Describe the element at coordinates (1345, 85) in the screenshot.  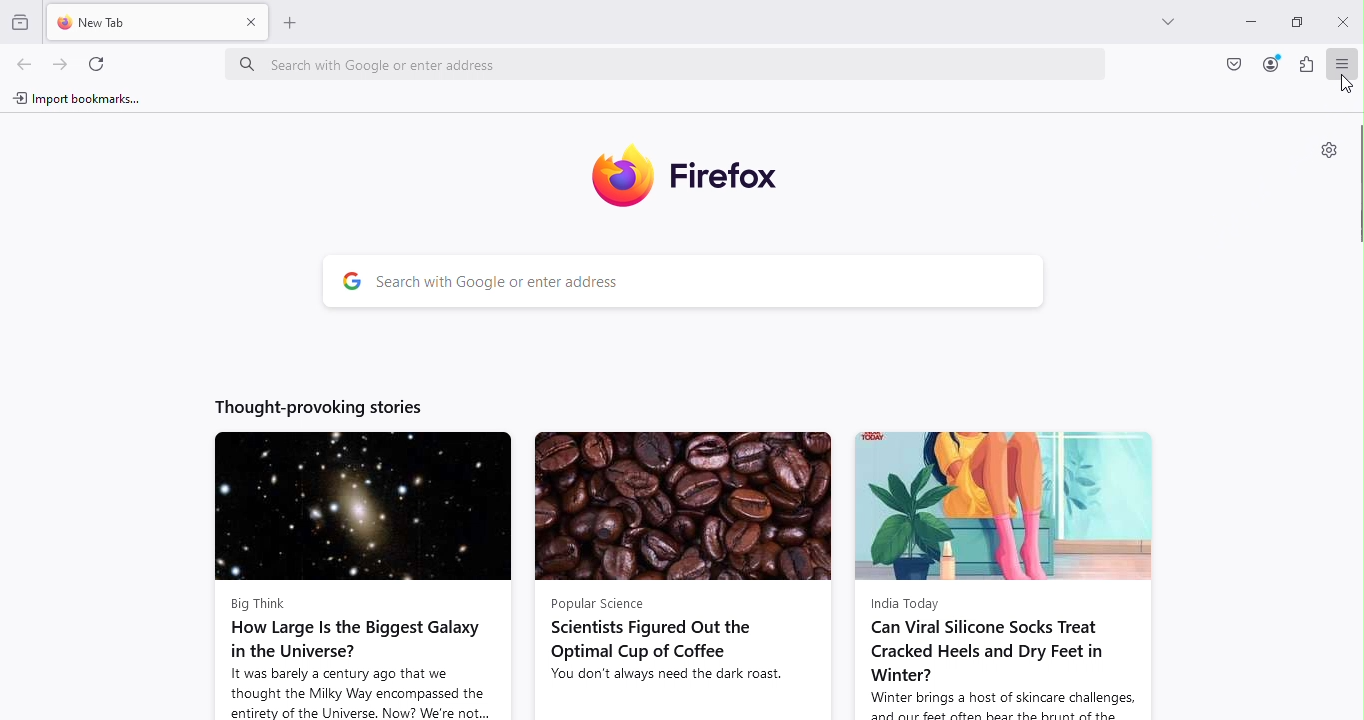
I see `cursor` at that location.